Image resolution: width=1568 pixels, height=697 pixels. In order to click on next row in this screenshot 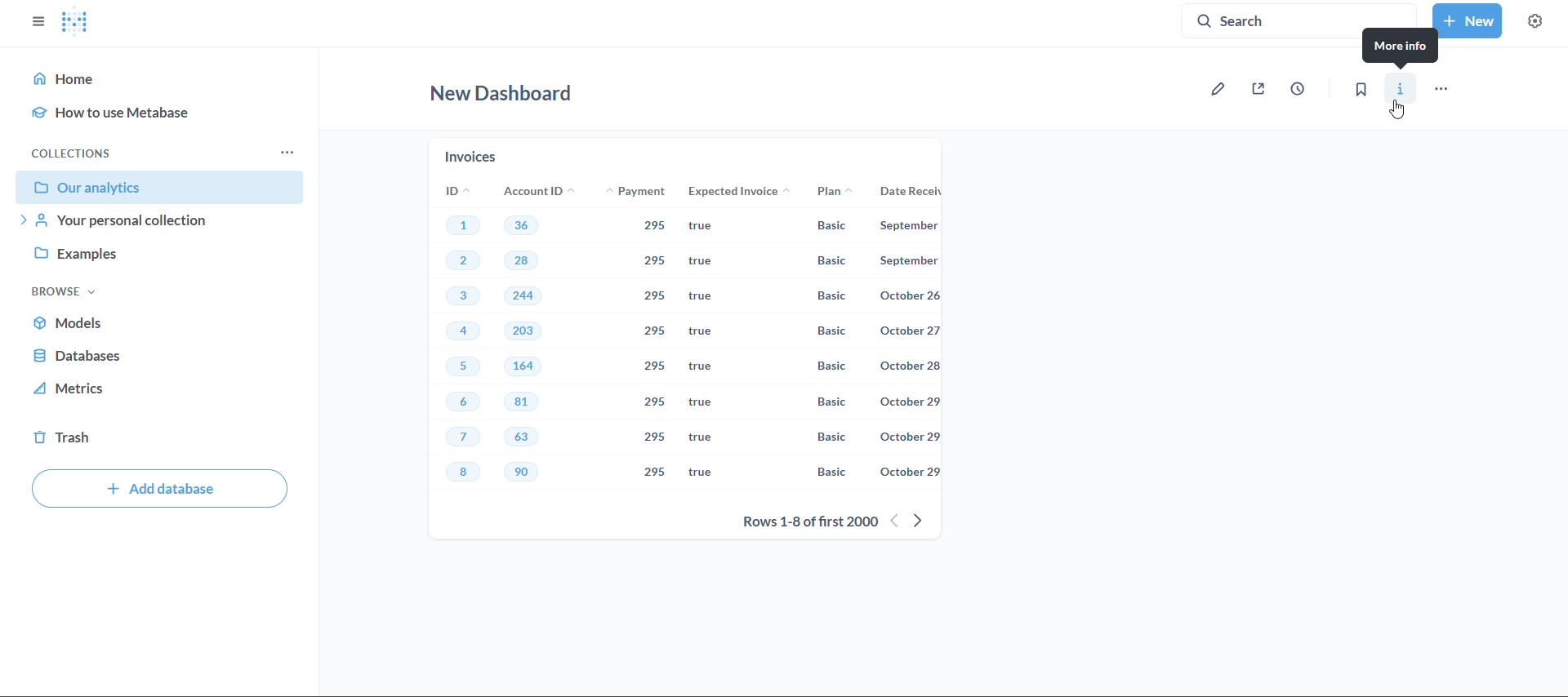, I will do `click(928, 518)`.